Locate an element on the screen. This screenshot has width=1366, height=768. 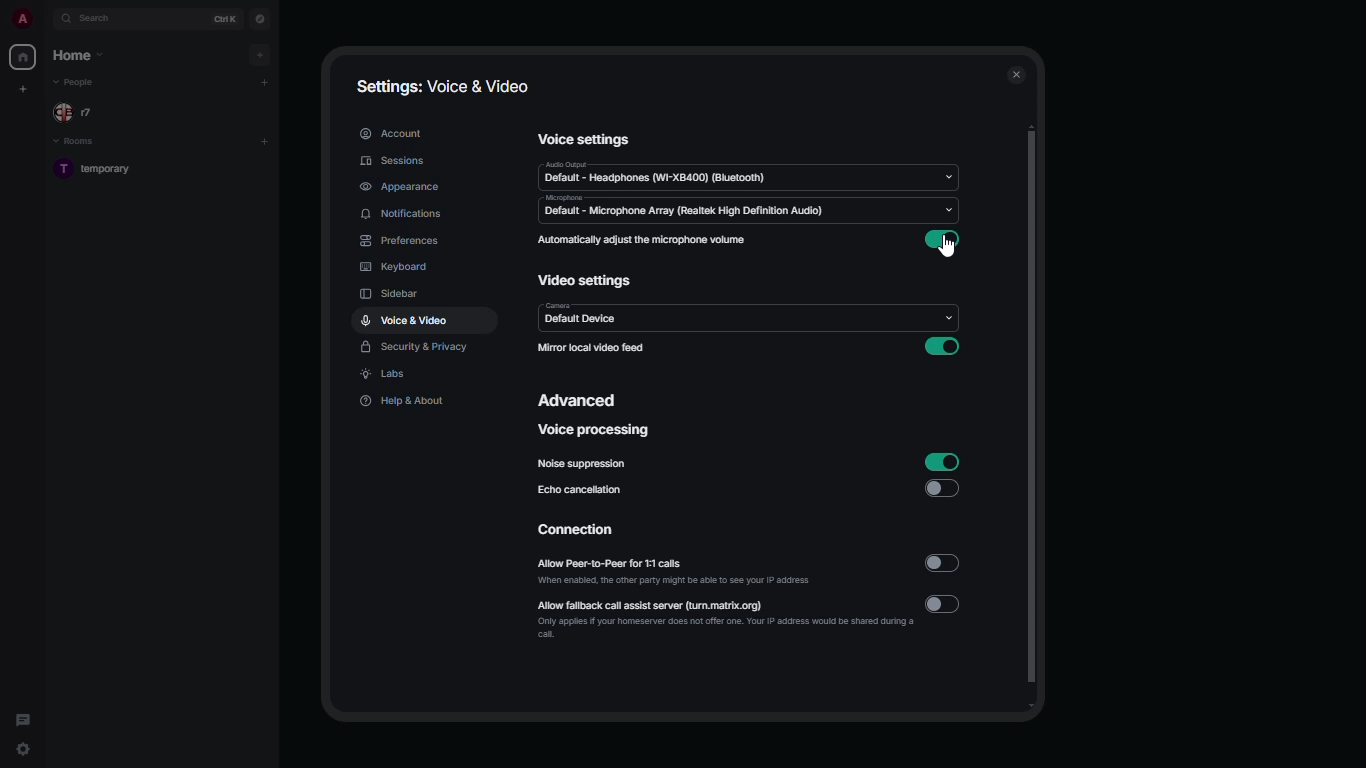
people is located at coordinates (80, 112).